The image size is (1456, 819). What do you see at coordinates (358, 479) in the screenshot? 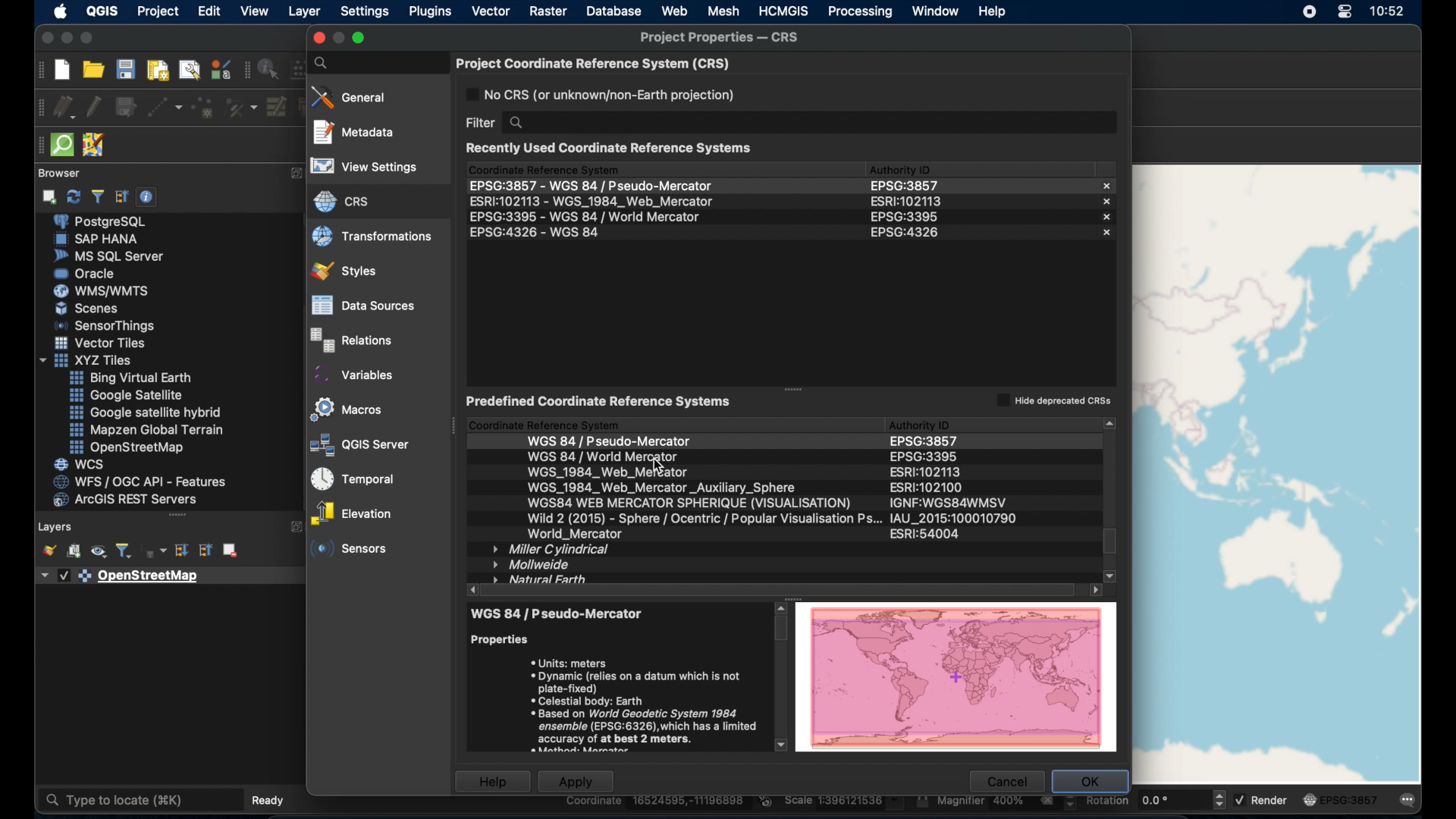
I see `temporal` at bounding box center [358, 479].